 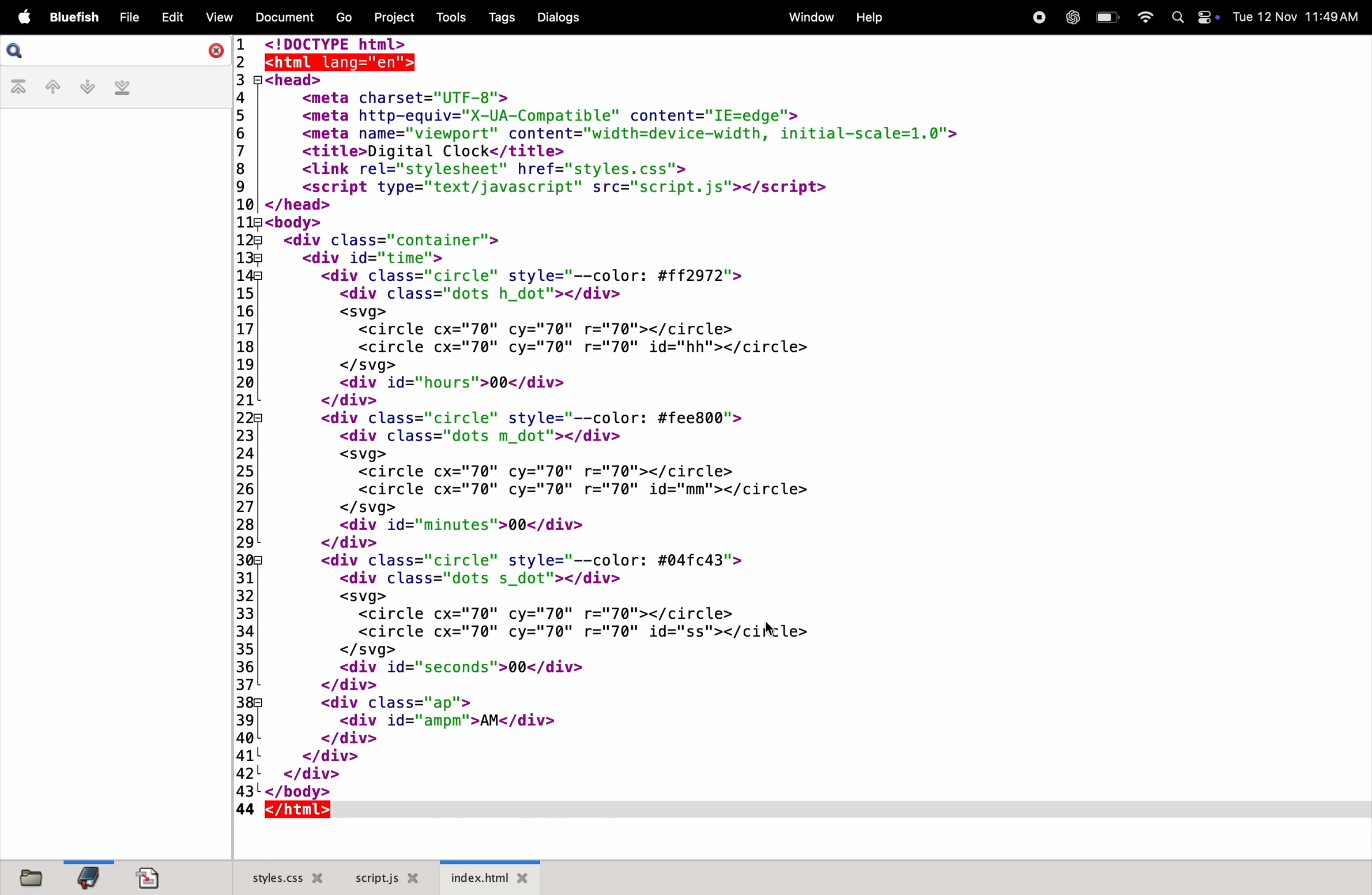 I want to click on date and time, so click(x=1298, y=19).